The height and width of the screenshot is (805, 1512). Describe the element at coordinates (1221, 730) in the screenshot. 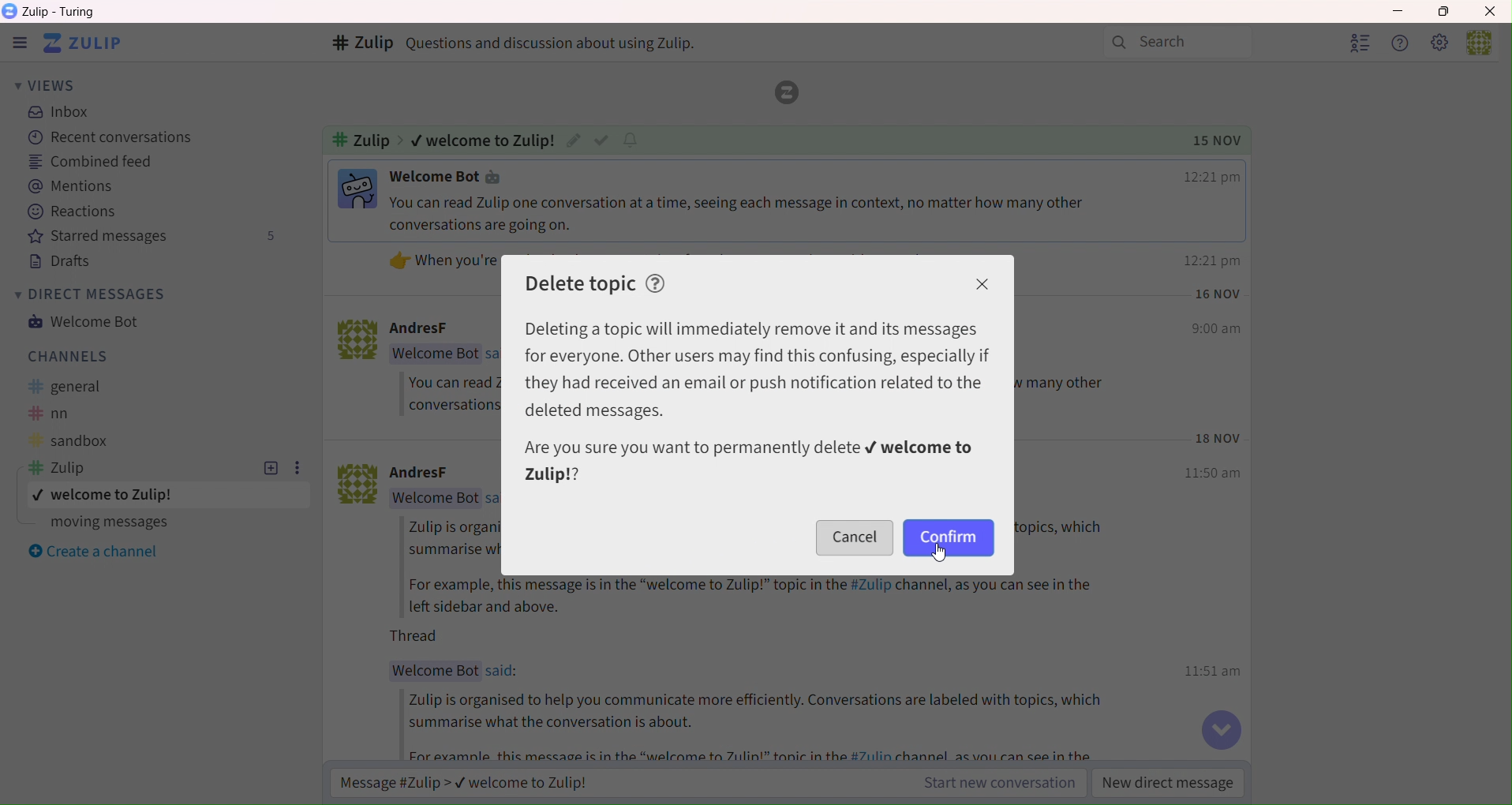

I see `Go to bottom of conversation button` at that location.